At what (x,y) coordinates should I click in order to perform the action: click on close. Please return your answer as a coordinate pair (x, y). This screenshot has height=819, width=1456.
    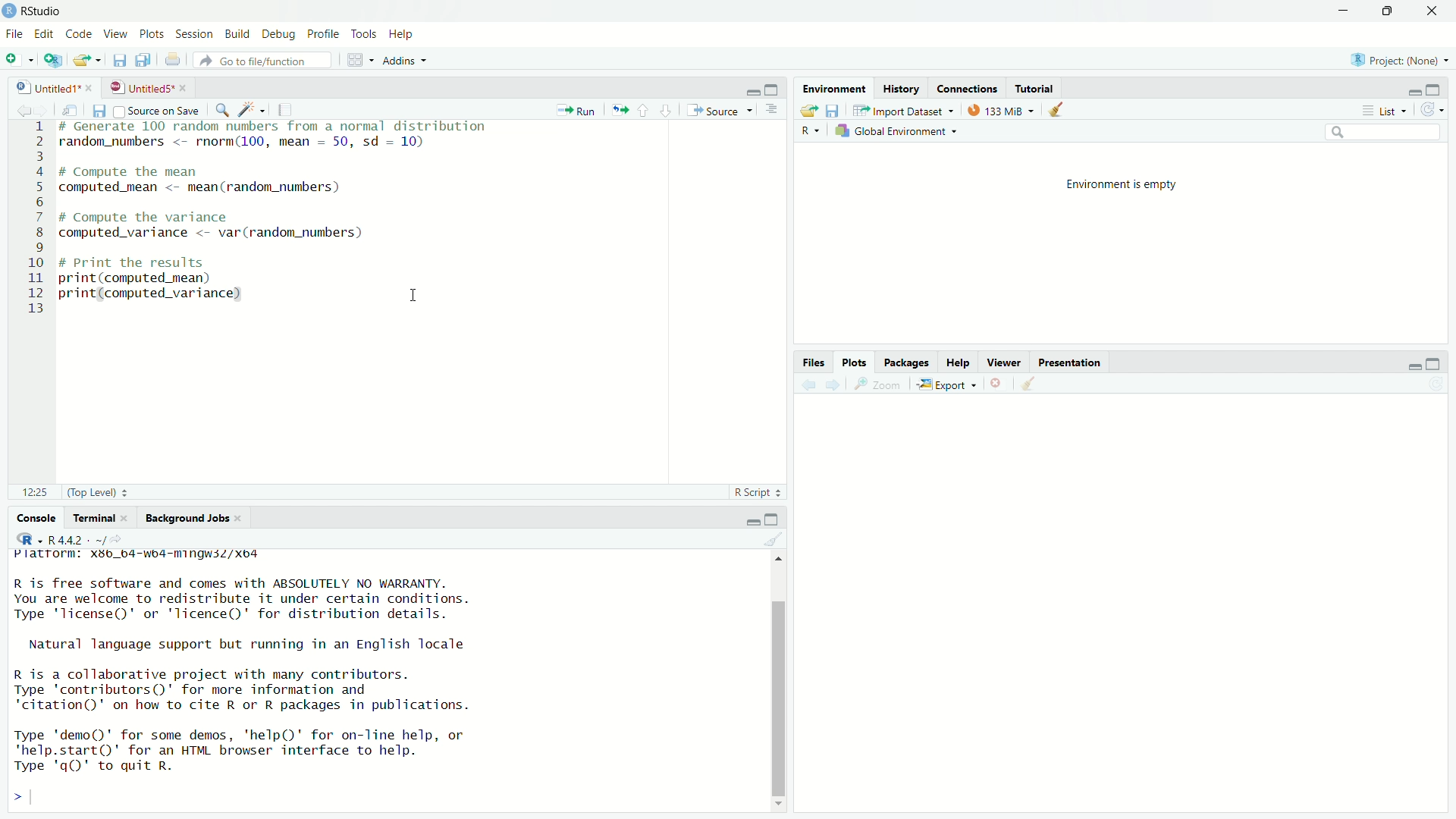
    Looking at the image, I should click on (185, 87).